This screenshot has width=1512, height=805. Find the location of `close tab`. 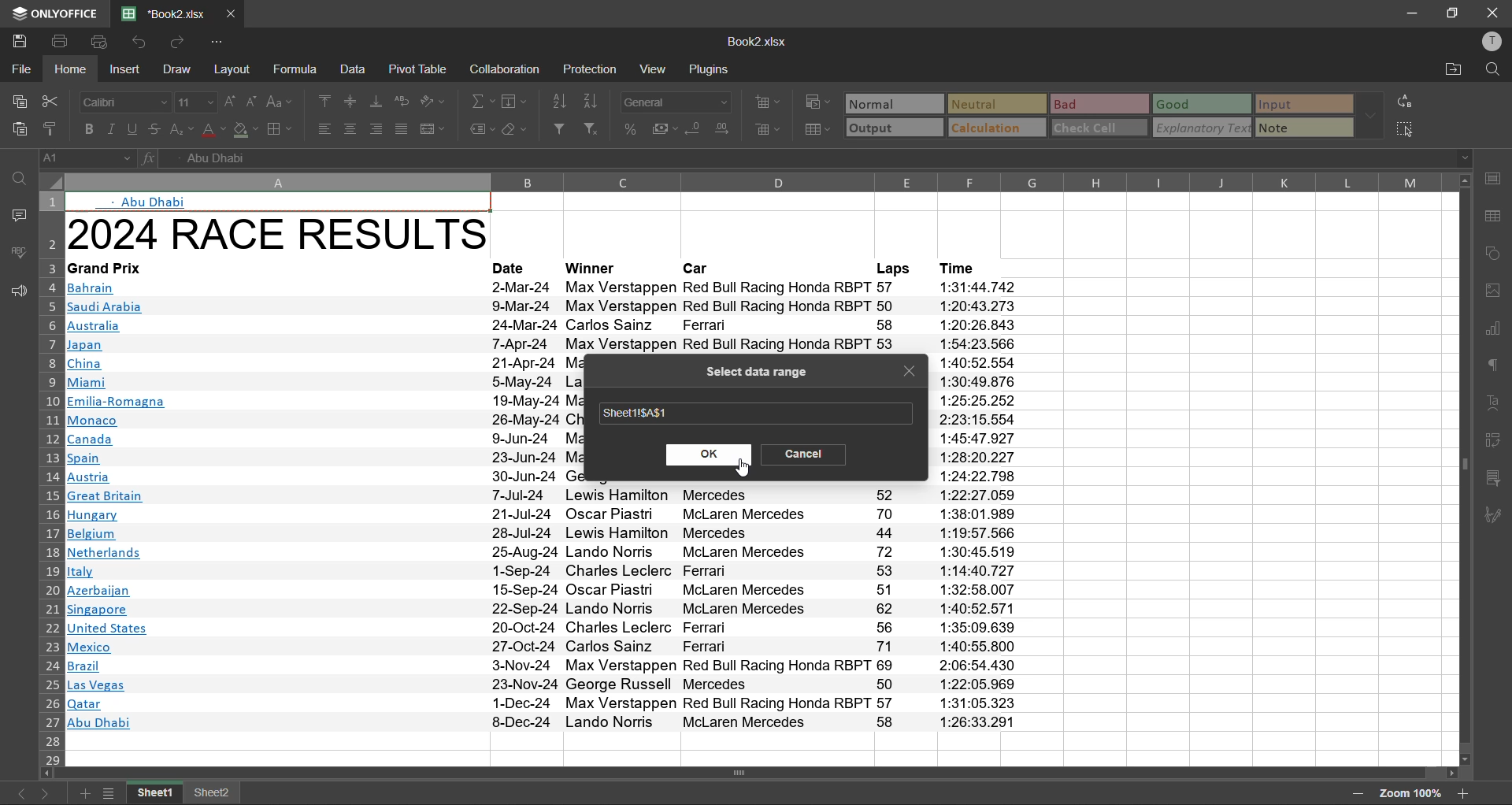

close tab is located at coordinates (913, 370).